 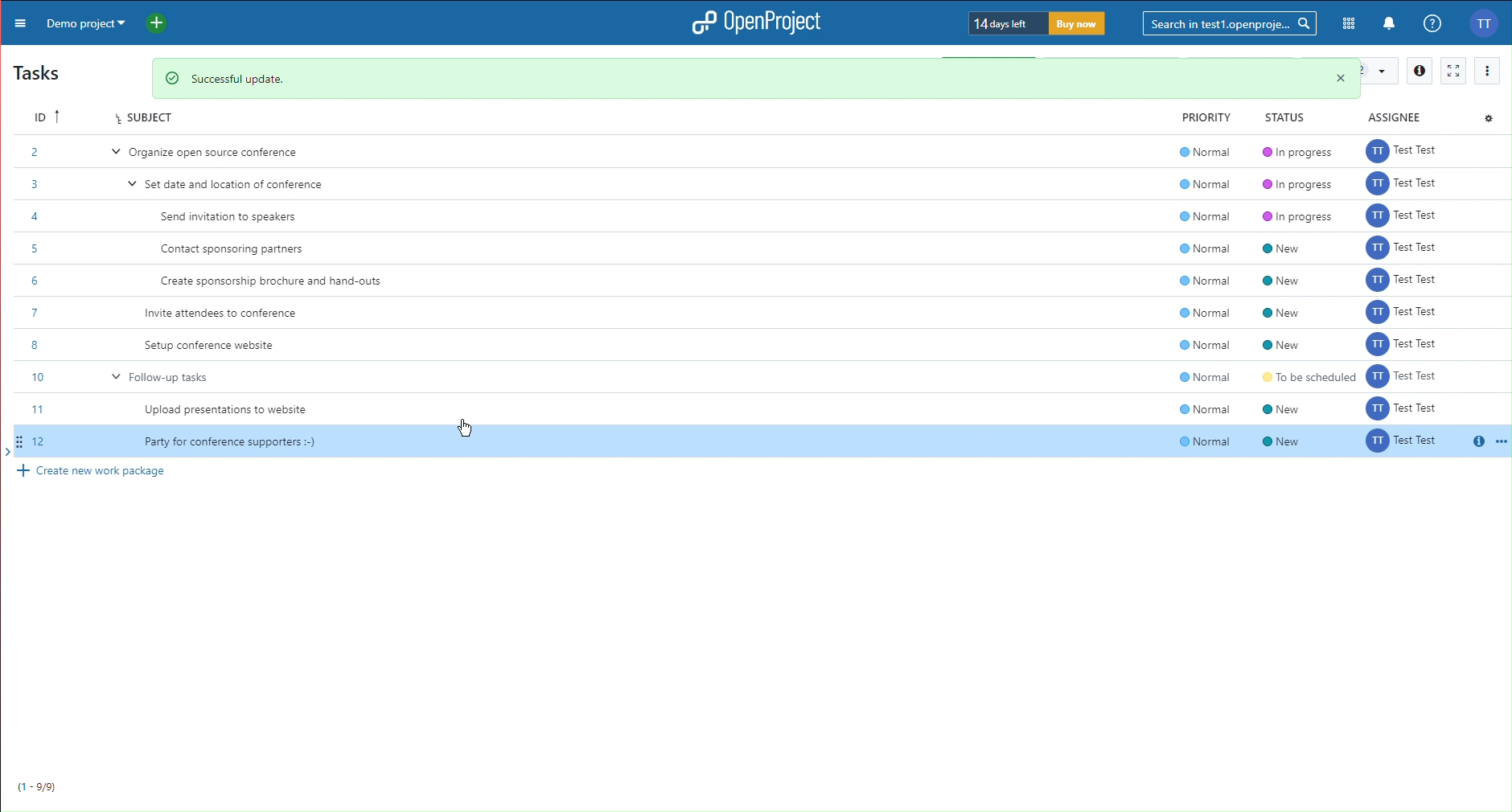 I want to click on options, so click(x=1485, y=69).